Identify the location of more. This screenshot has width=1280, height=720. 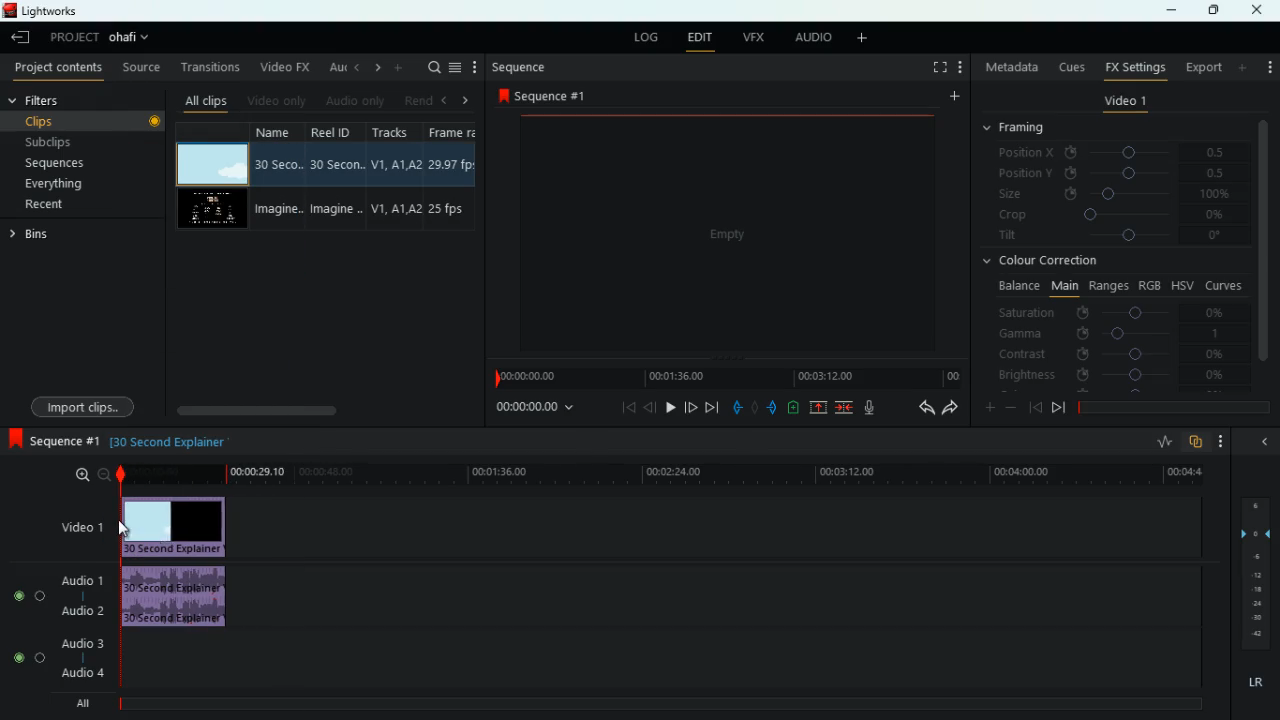
(866, 39).